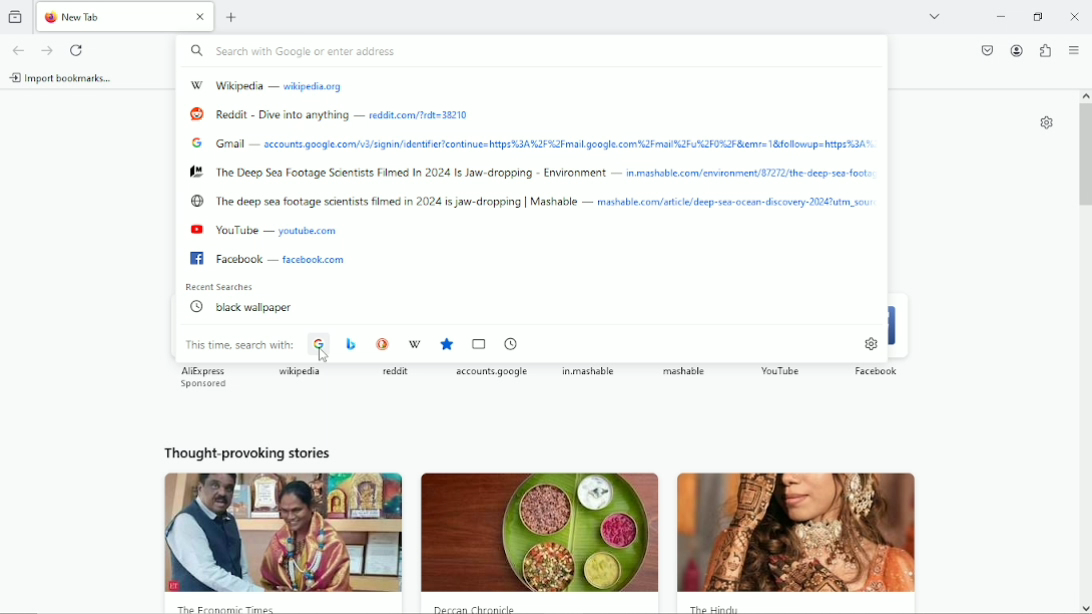 This screenshot has height=614, width=1092. What do you see at coordinates (805, 535) in the screenshot?
I see `image` at bounding box center [805, 535].